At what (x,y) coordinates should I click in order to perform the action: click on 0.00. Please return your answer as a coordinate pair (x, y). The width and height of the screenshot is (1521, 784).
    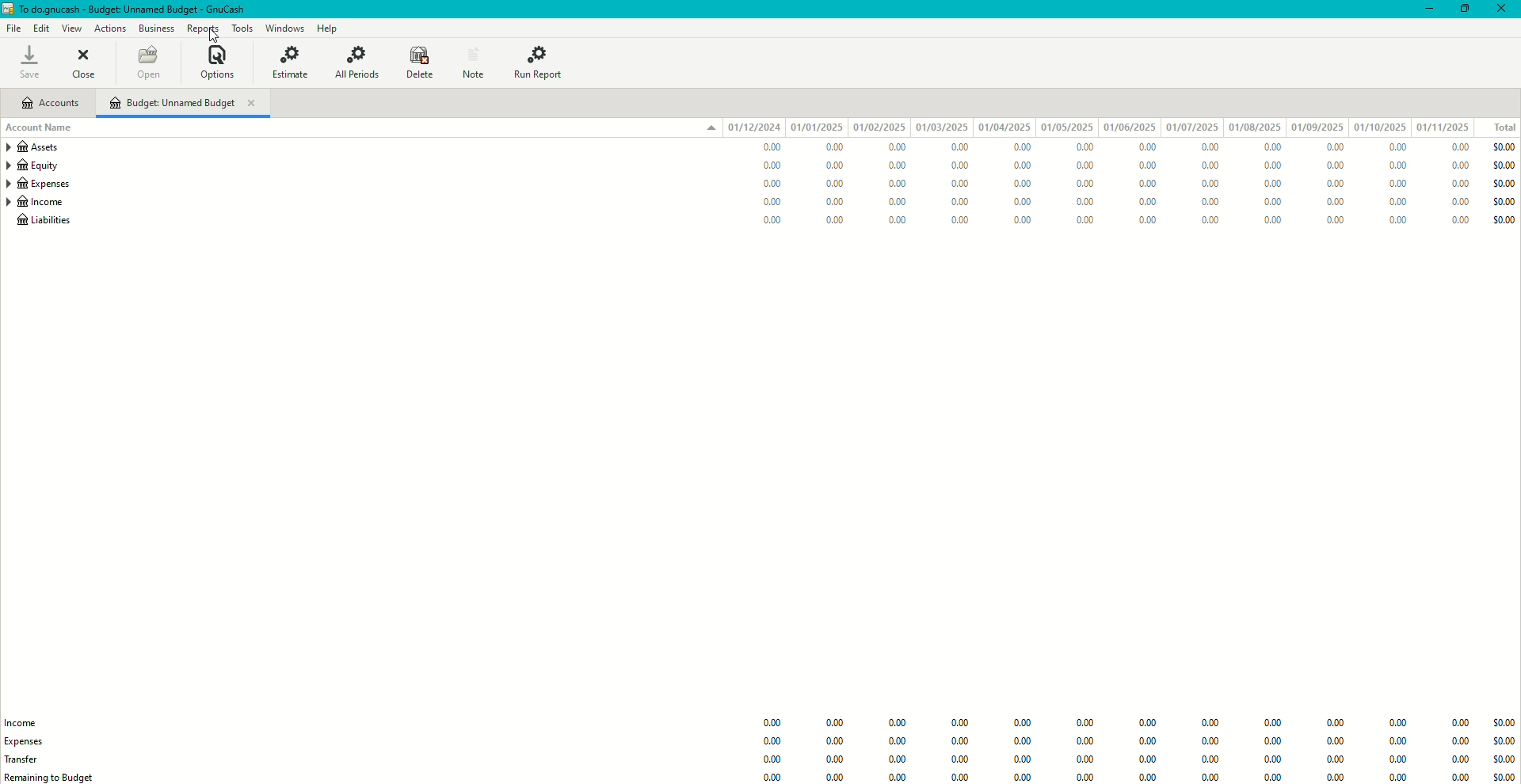
    Looking at the image, I should click on (951, 148).